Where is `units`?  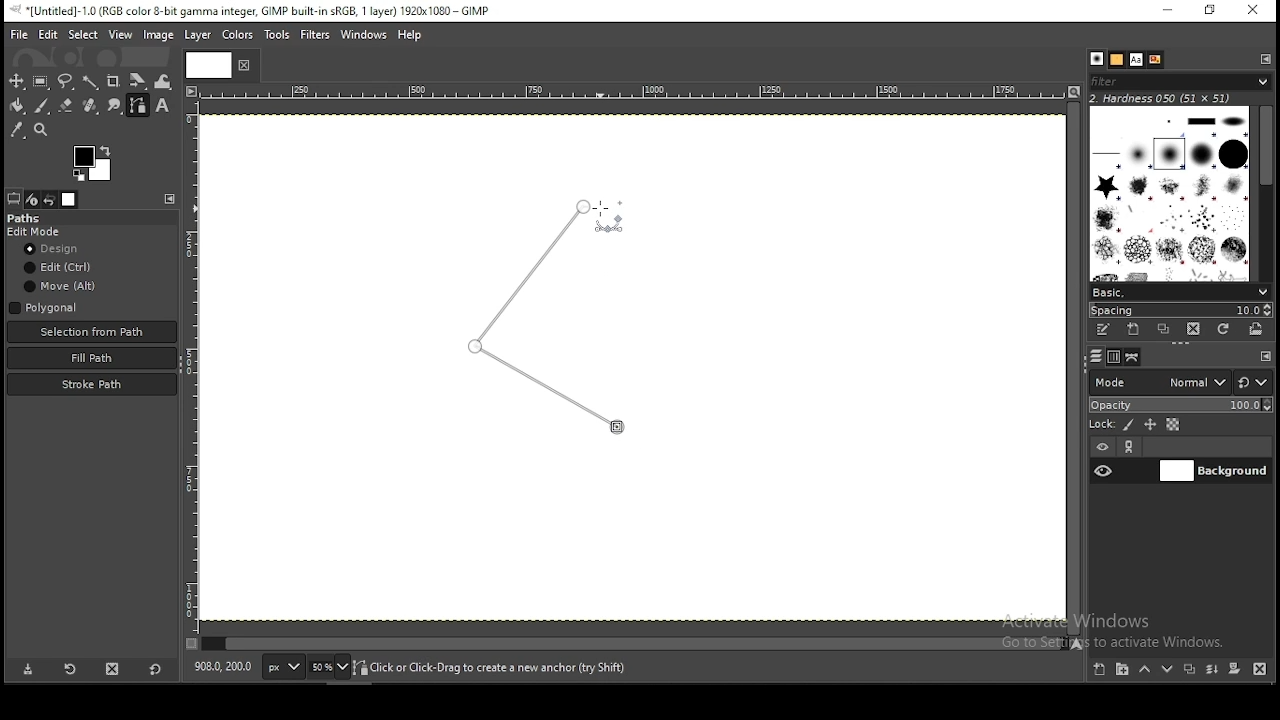 units is located at coordinates (282, 666).